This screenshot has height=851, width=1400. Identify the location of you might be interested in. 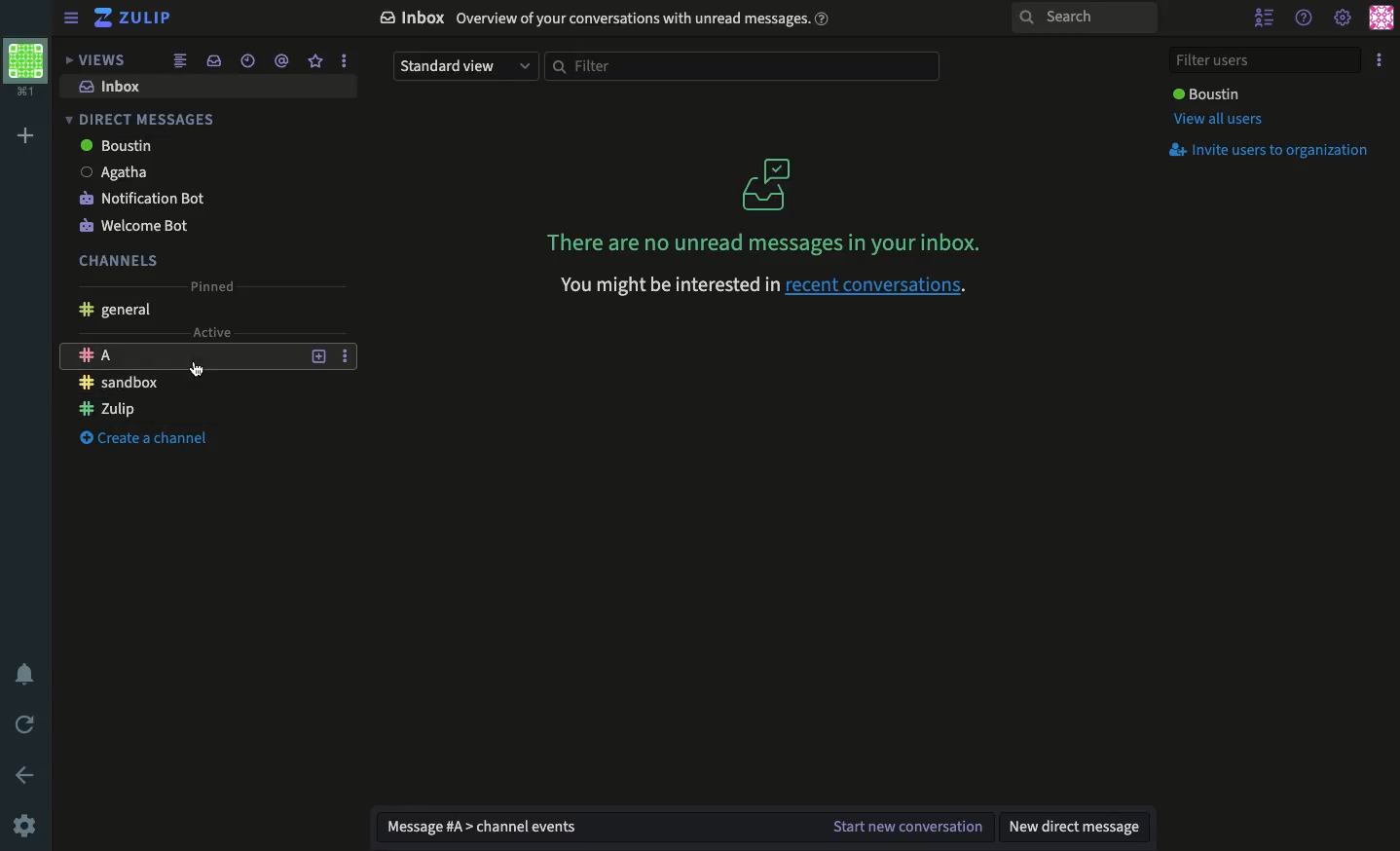
(669, 284).